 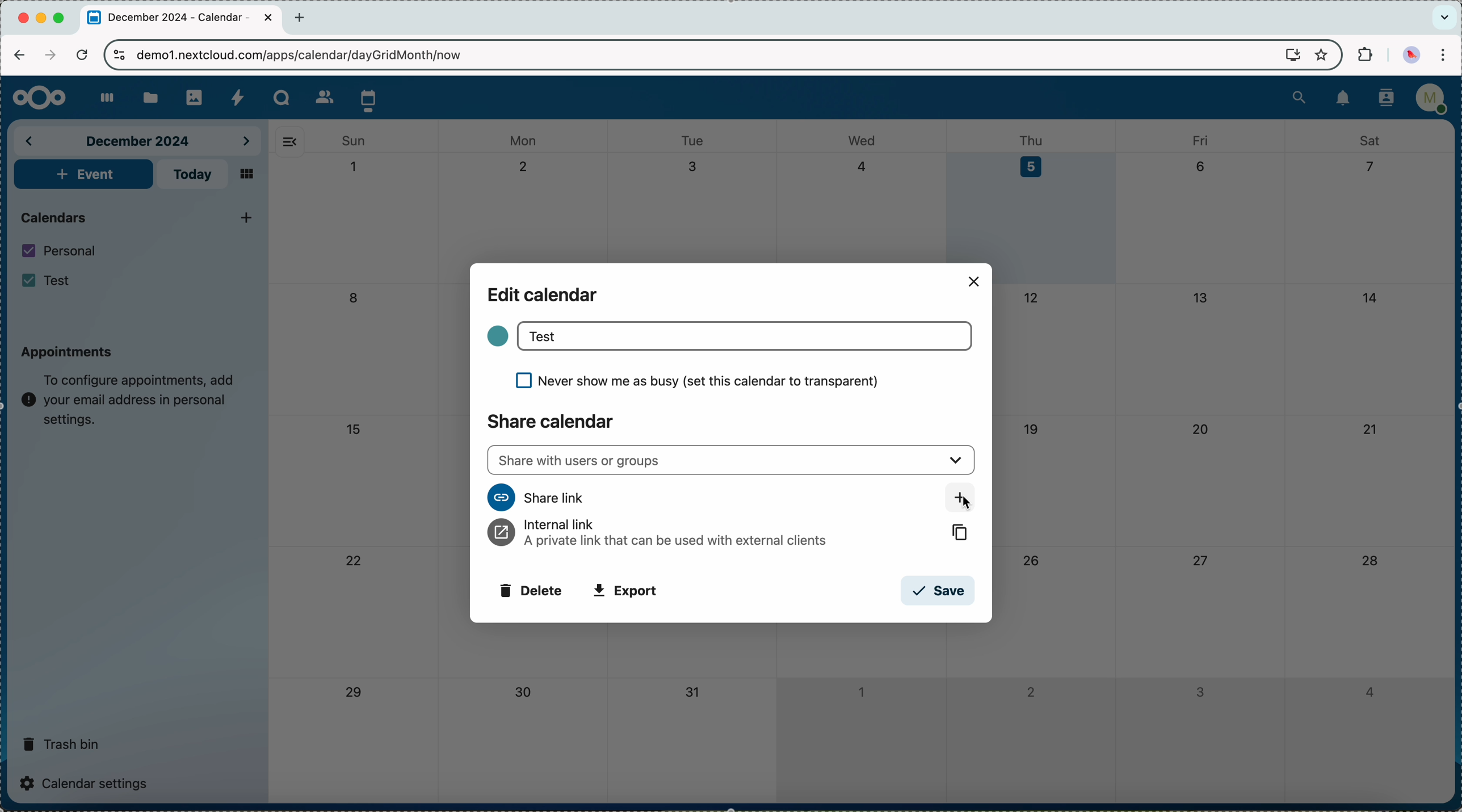 I want to click on 15, so click(x=352, y=429).